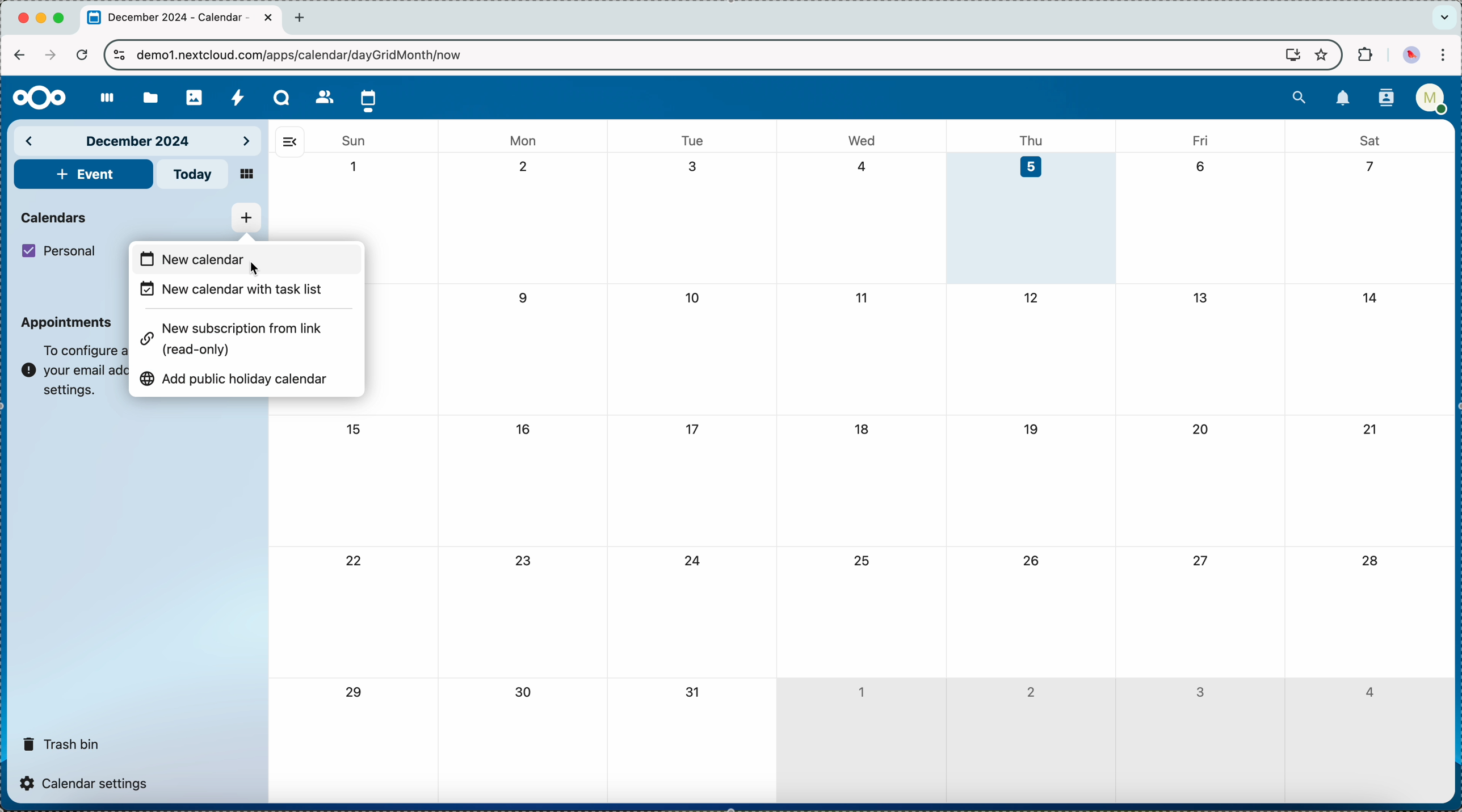 This screenshot has width=1462, height=812. What do you see at coordinates (1369, 429) in the screenshot?
I see `21` at bounding box center [1369, 429].